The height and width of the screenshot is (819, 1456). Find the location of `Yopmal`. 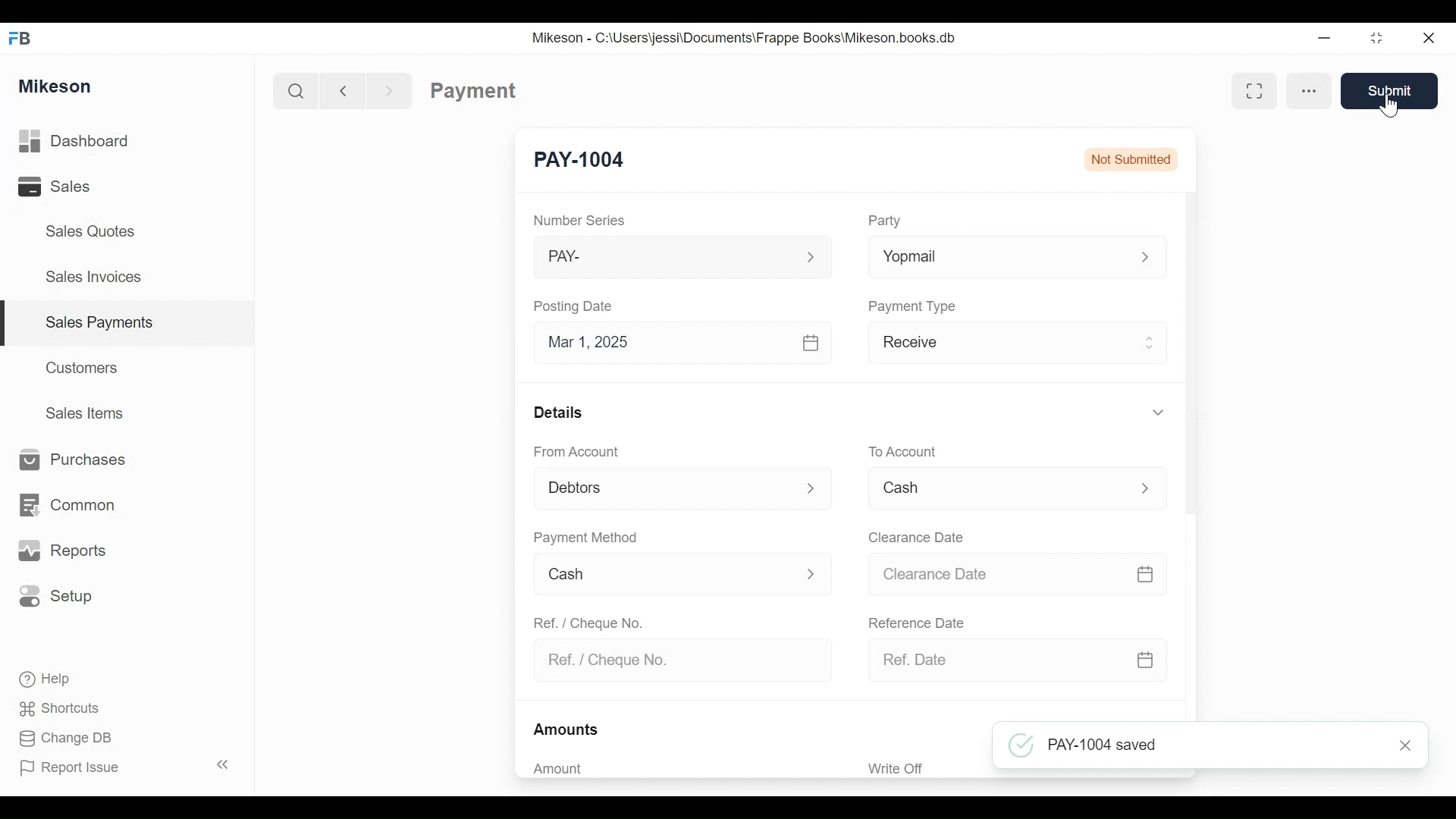

Yopmal is located at coordinates (1019, 256).